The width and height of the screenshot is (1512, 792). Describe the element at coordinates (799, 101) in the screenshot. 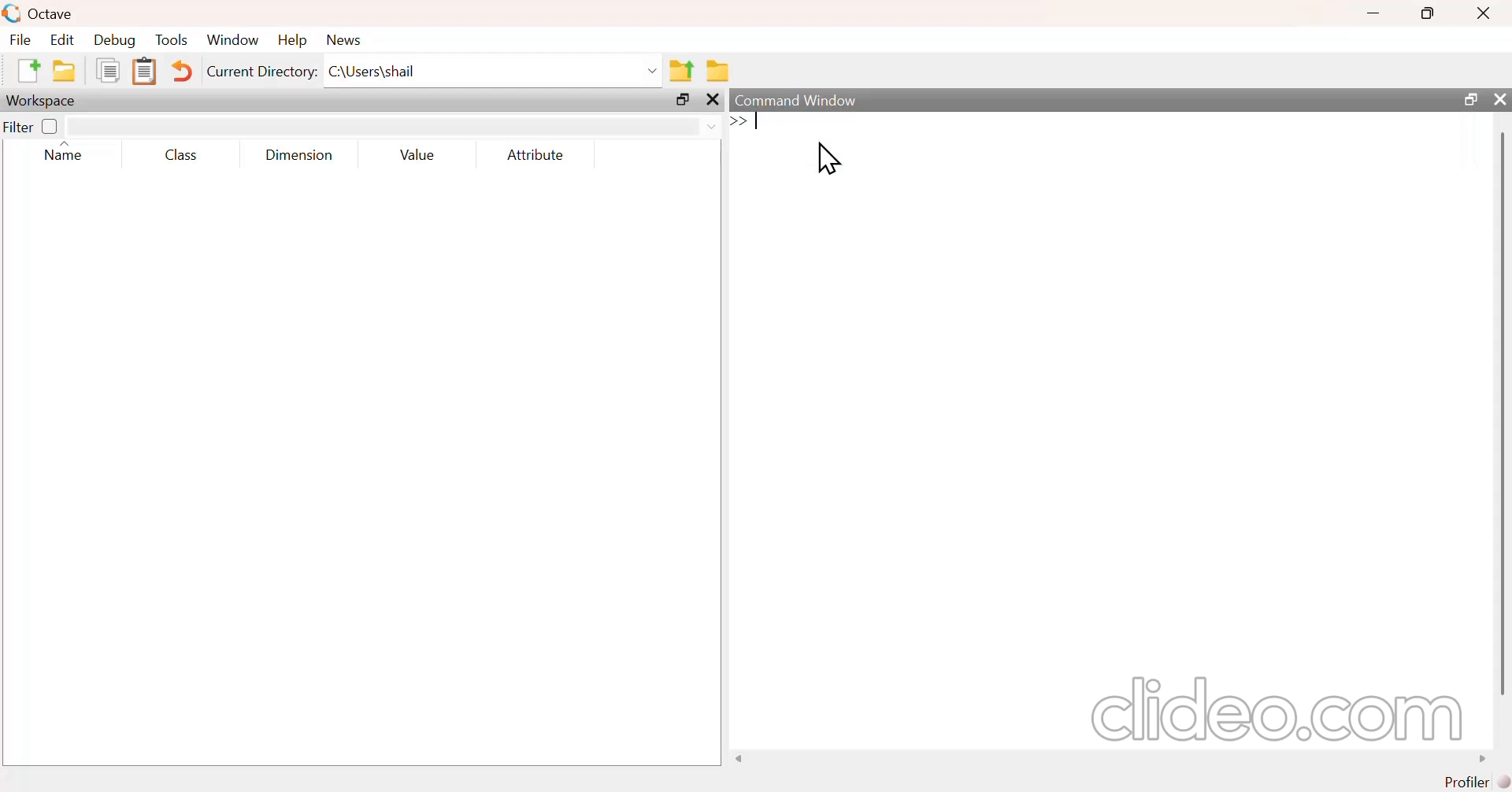

I see `command window` at that location.